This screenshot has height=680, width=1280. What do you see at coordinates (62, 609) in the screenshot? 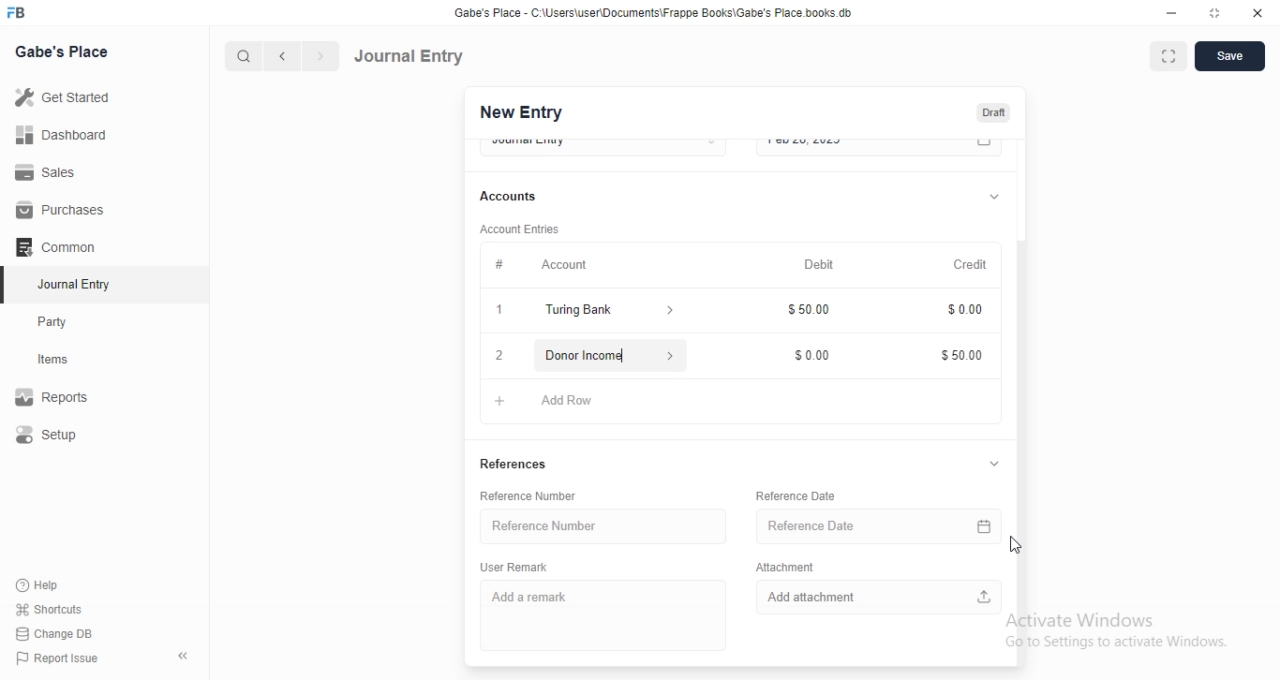
I see `‘Shortcuts` at bounding box center [62, 609].